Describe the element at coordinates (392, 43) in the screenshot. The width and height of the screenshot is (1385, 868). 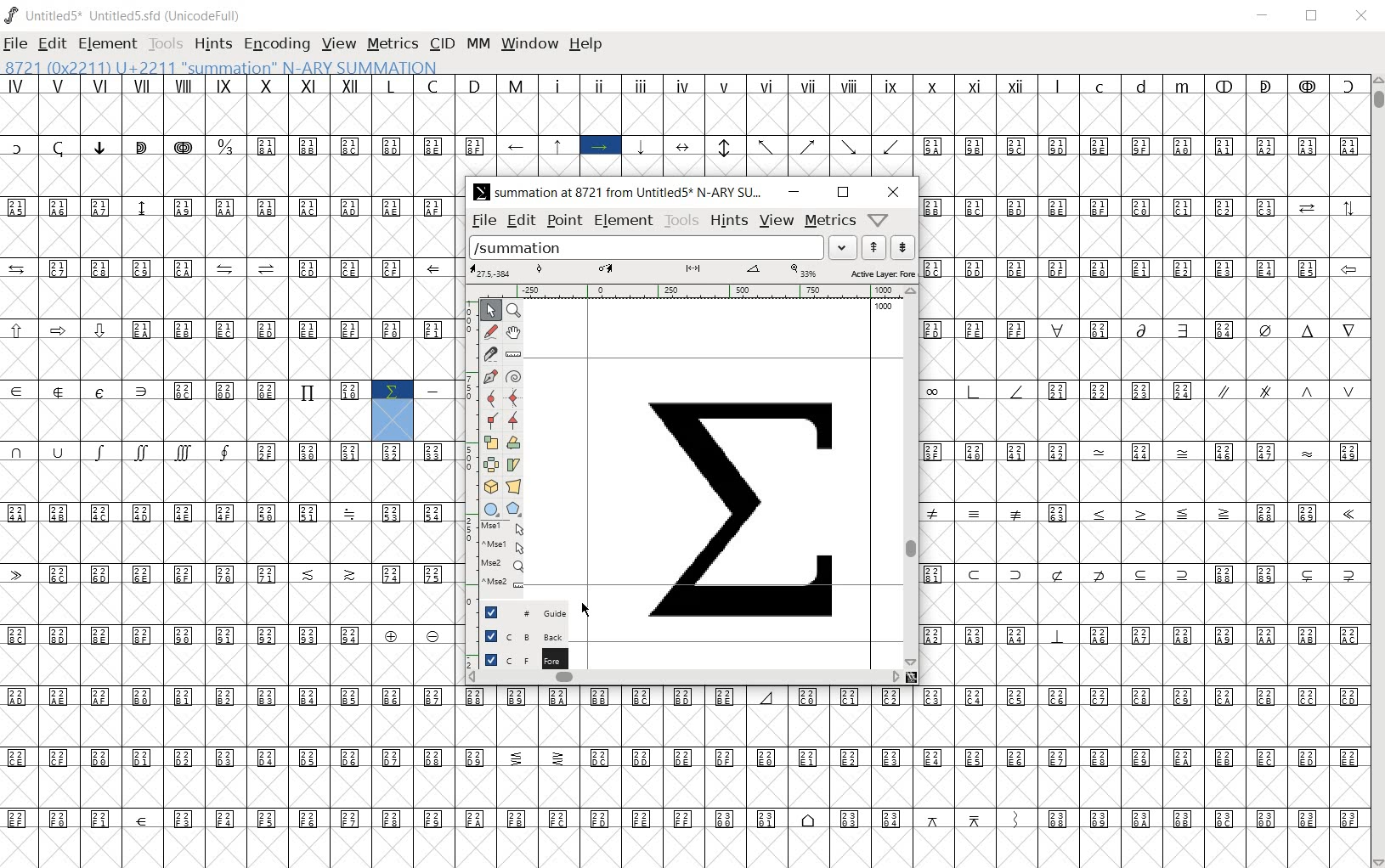
I see `METRICS` at that location.